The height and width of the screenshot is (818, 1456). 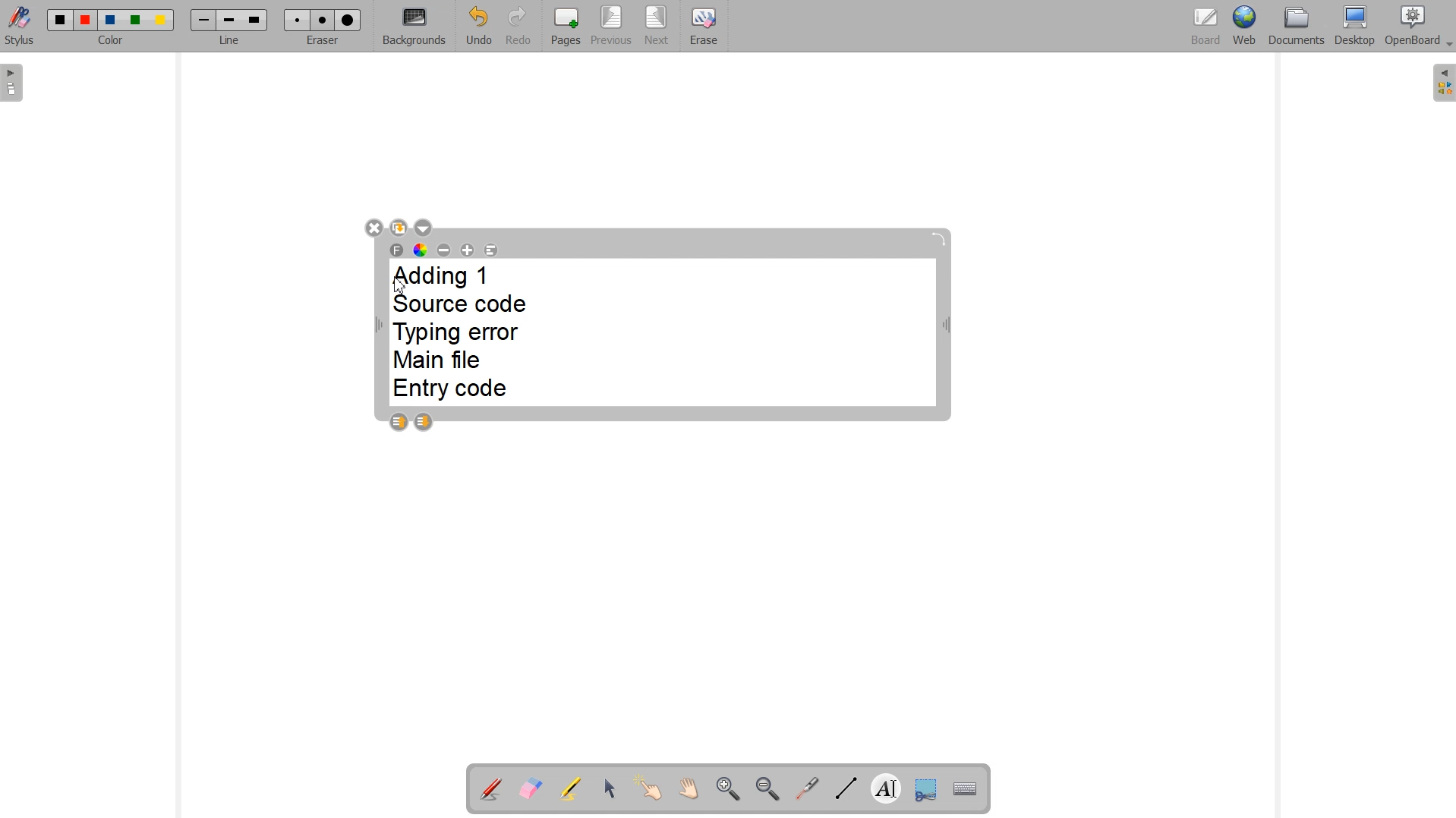 I want to click on Highlight, so click(x=572, y=788).